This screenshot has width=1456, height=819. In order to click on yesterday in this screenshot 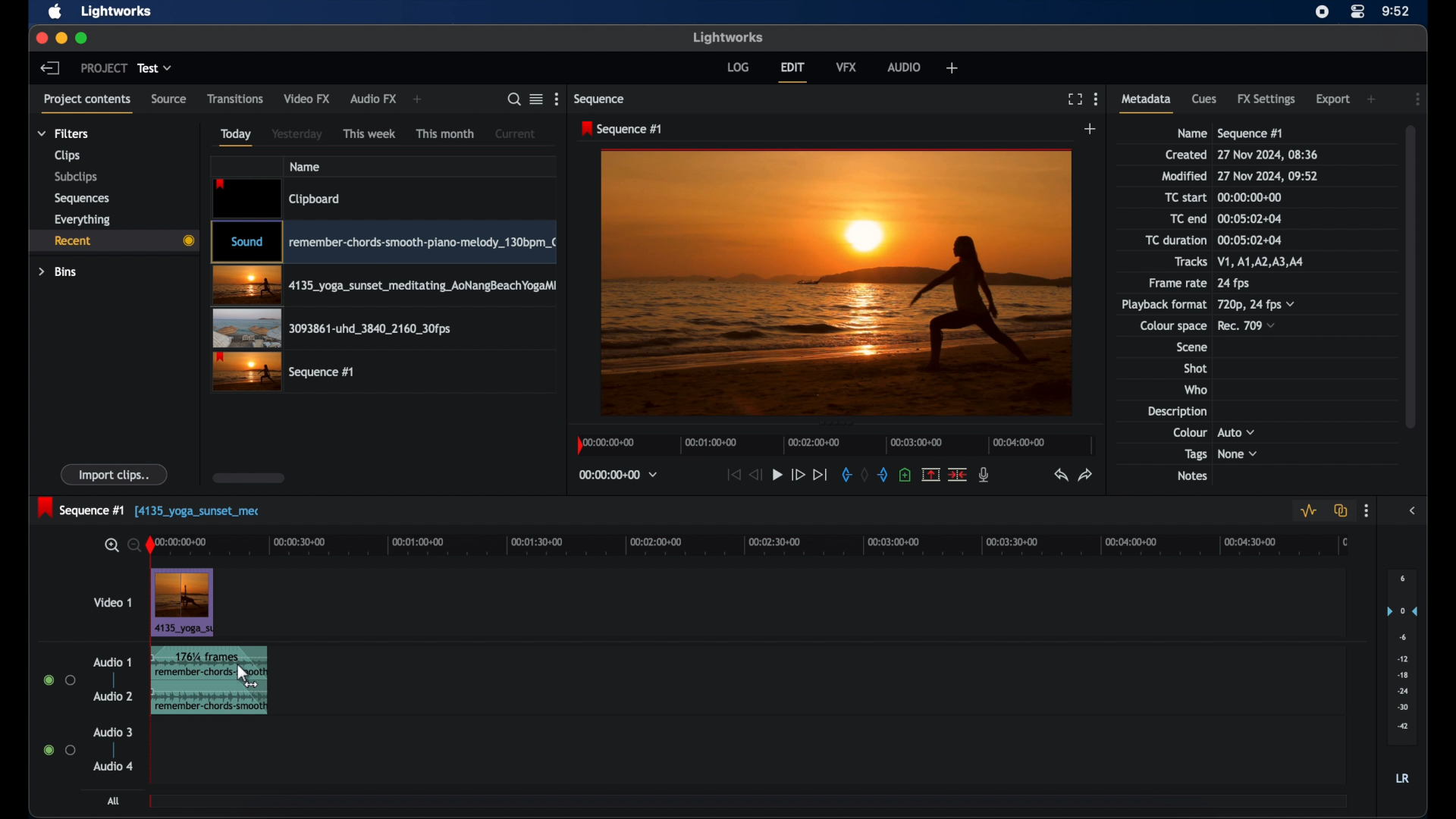, I will do `click(297, 133)`.